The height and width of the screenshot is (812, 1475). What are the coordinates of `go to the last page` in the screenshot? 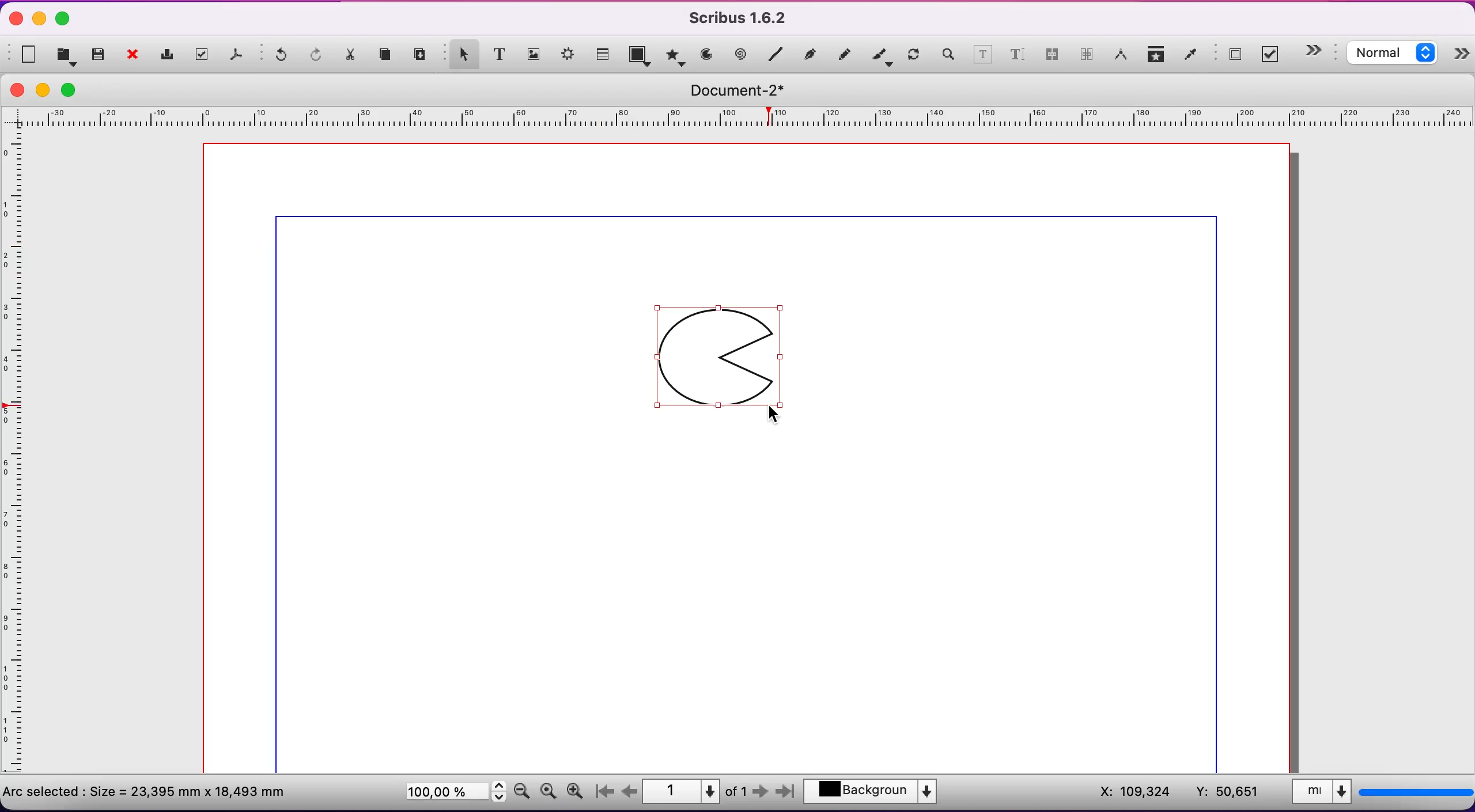 It's located at (784, 794).